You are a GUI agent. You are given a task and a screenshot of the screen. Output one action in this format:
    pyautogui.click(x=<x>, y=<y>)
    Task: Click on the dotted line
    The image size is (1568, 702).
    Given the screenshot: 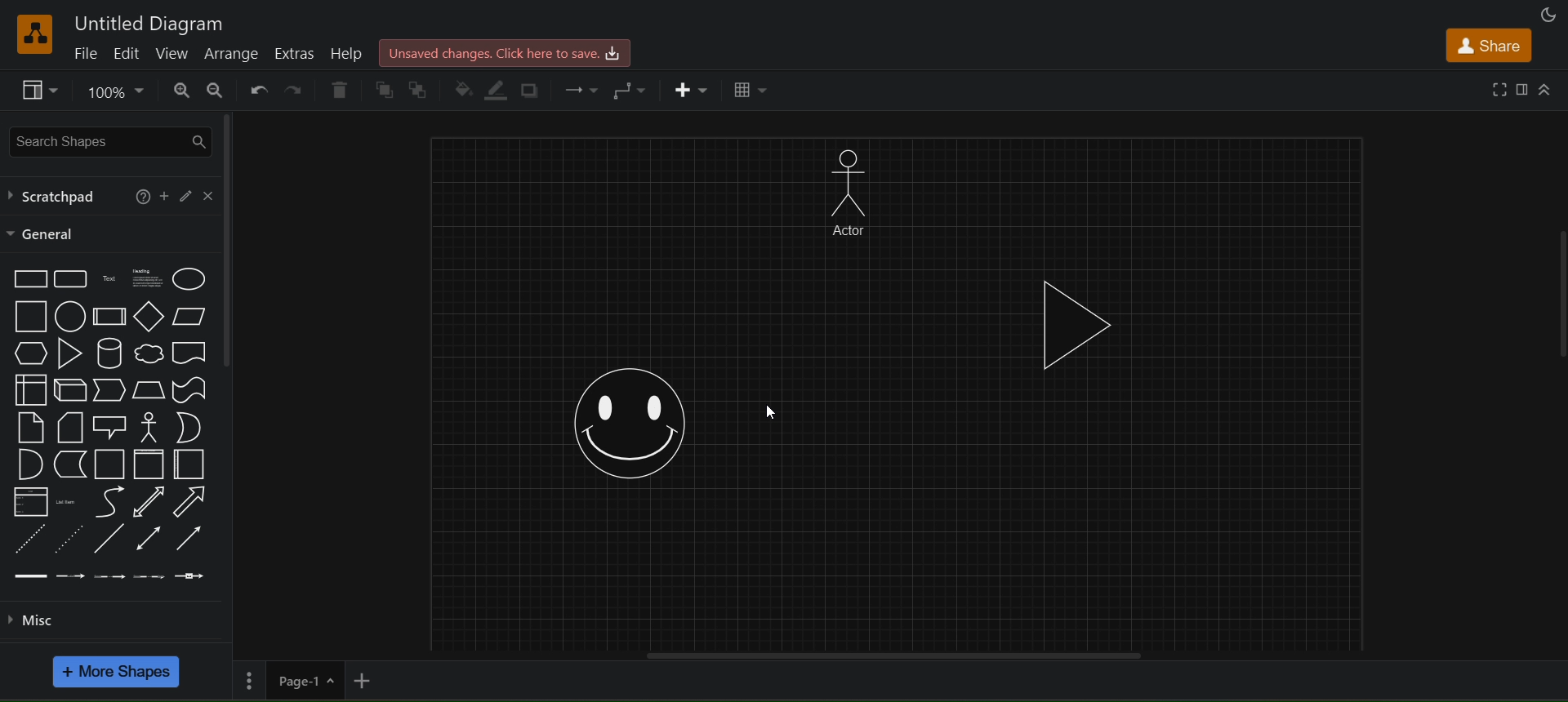 What is the action you would take?
    pyautogui.click(x=69, y=540)
    